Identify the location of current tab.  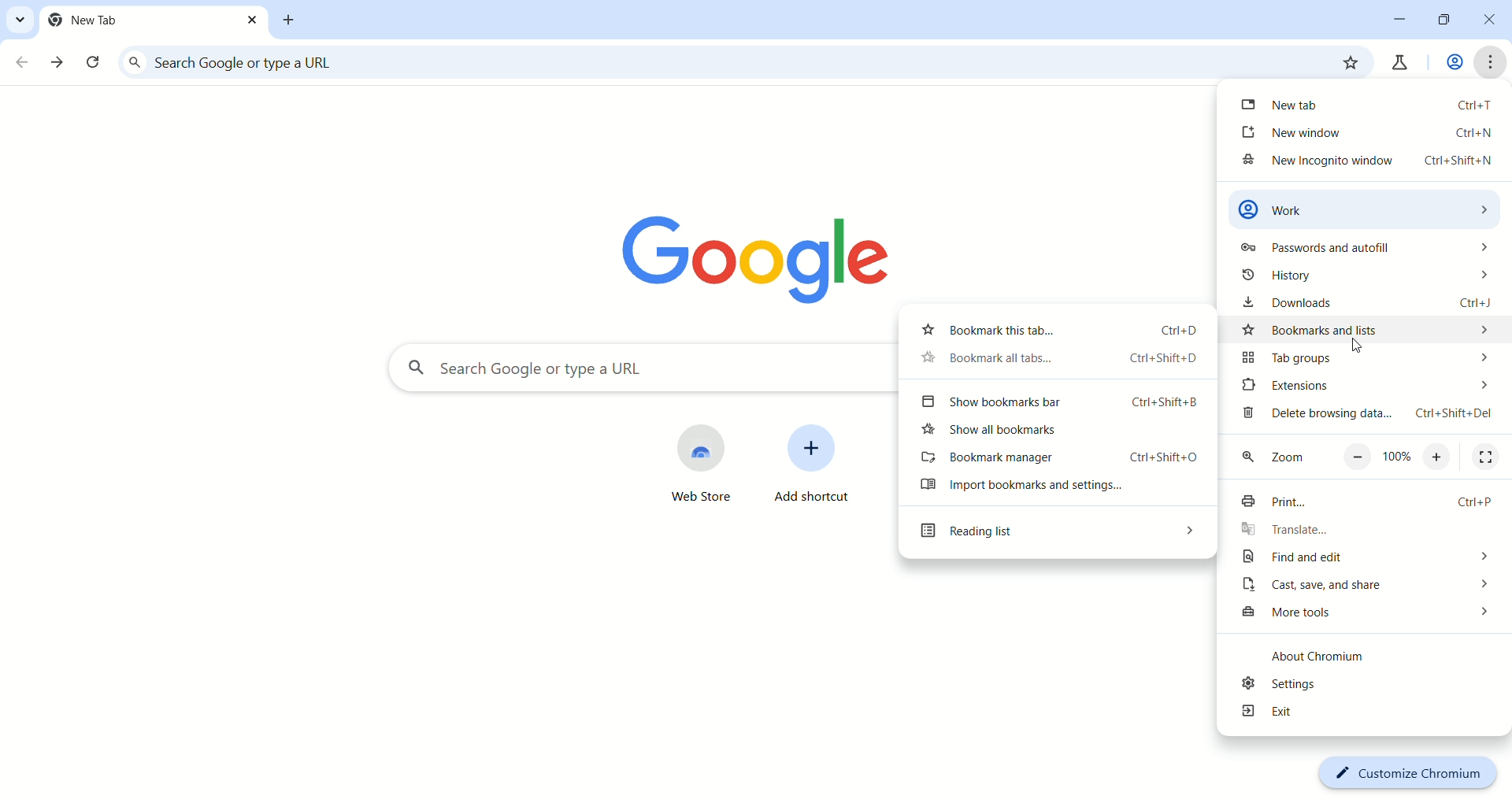
(154, 20).